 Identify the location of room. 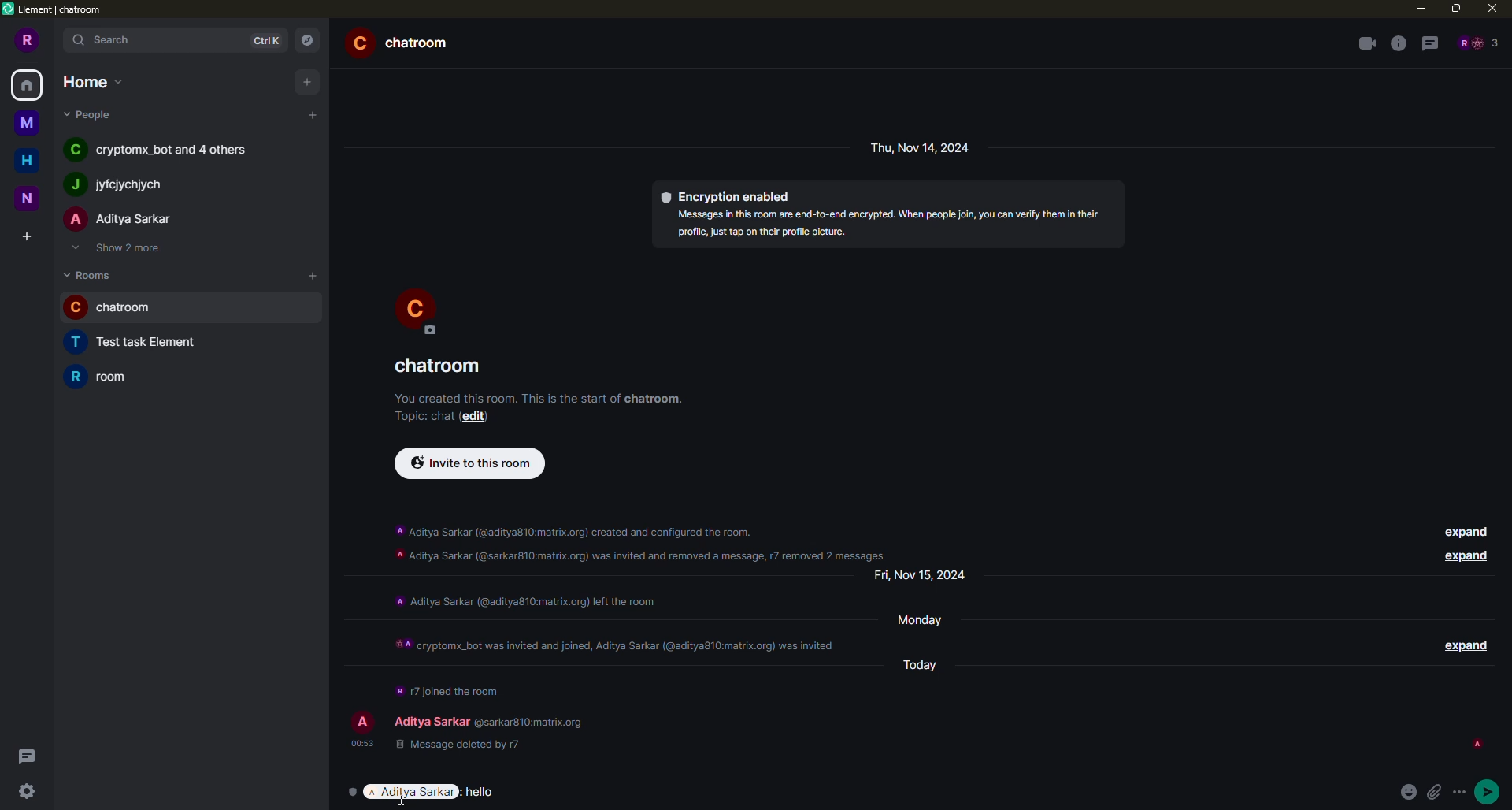
(405, 42).